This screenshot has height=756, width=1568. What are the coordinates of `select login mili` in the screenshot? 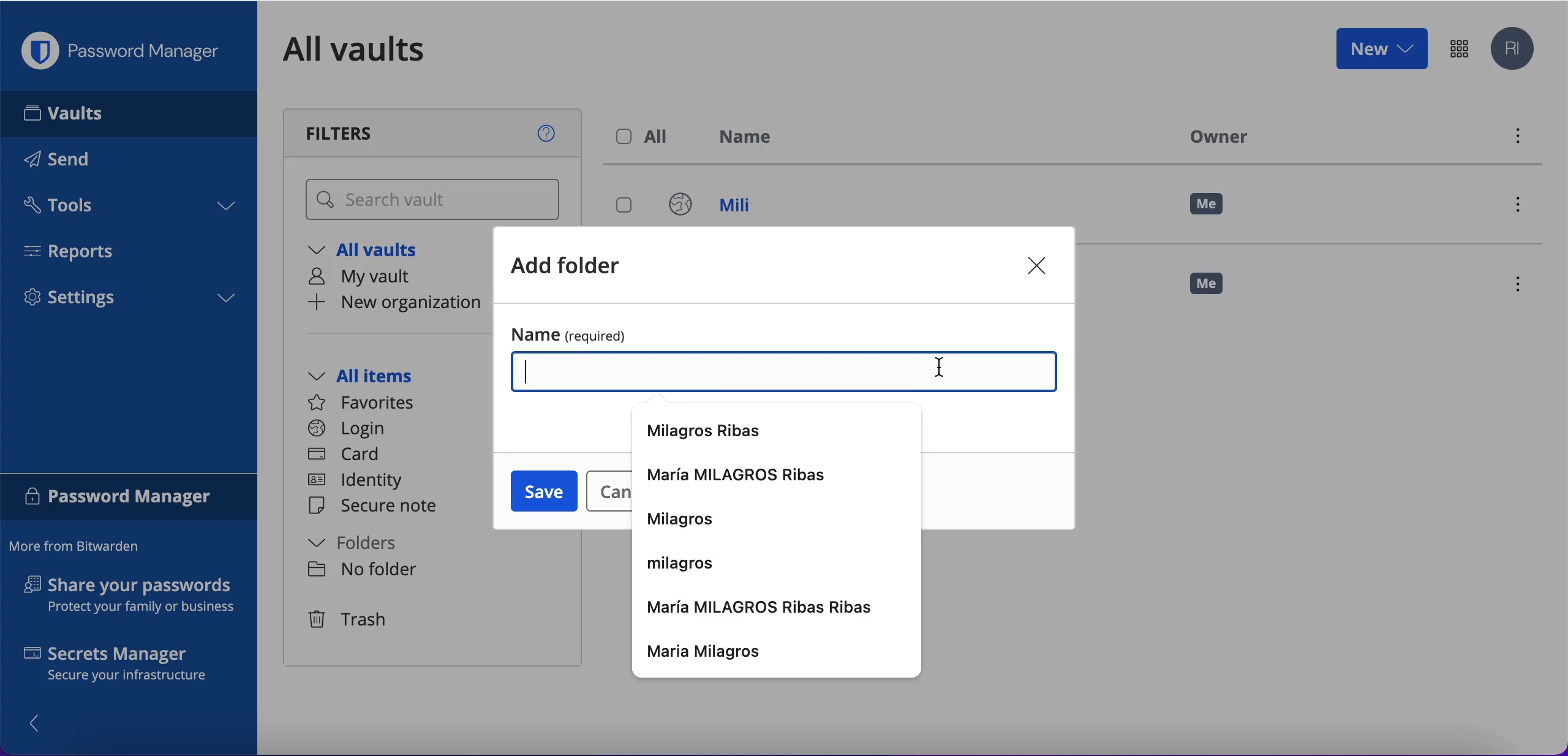 It's located at (625, 206).